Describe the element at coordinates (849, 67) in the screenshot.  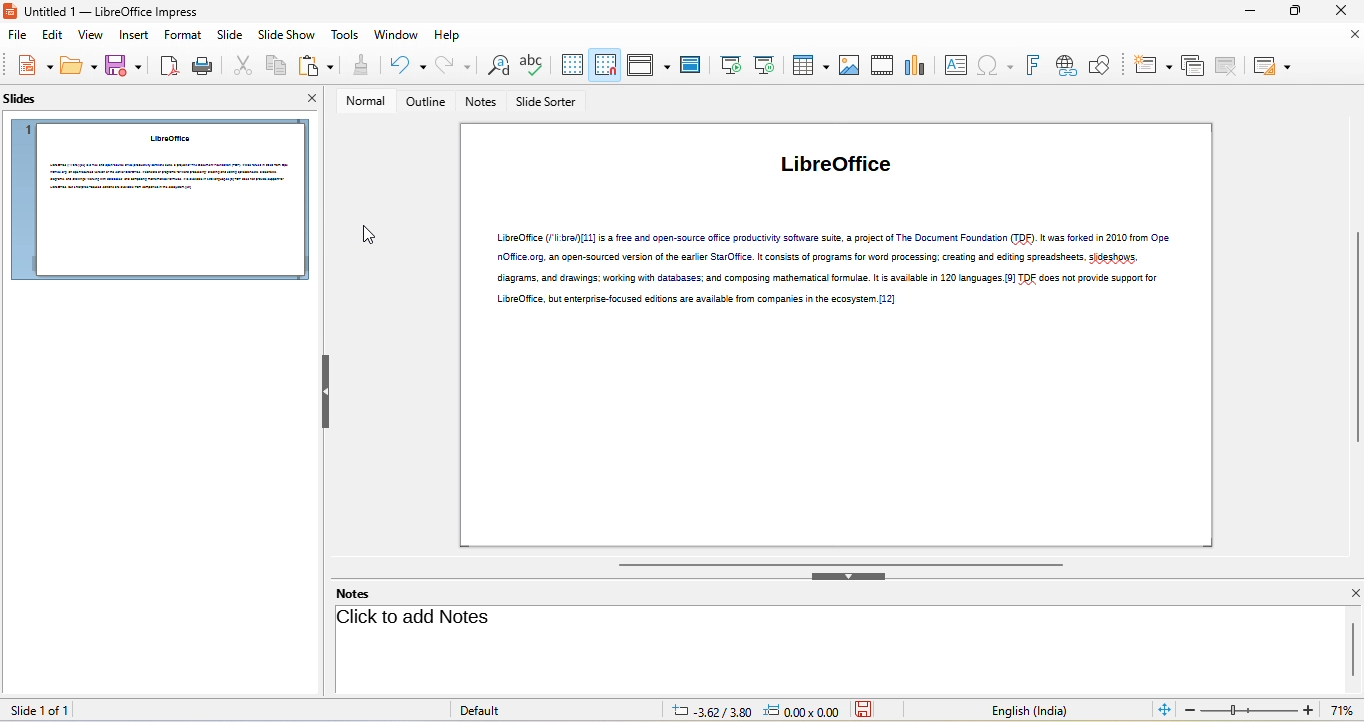
I see `image` at that location.